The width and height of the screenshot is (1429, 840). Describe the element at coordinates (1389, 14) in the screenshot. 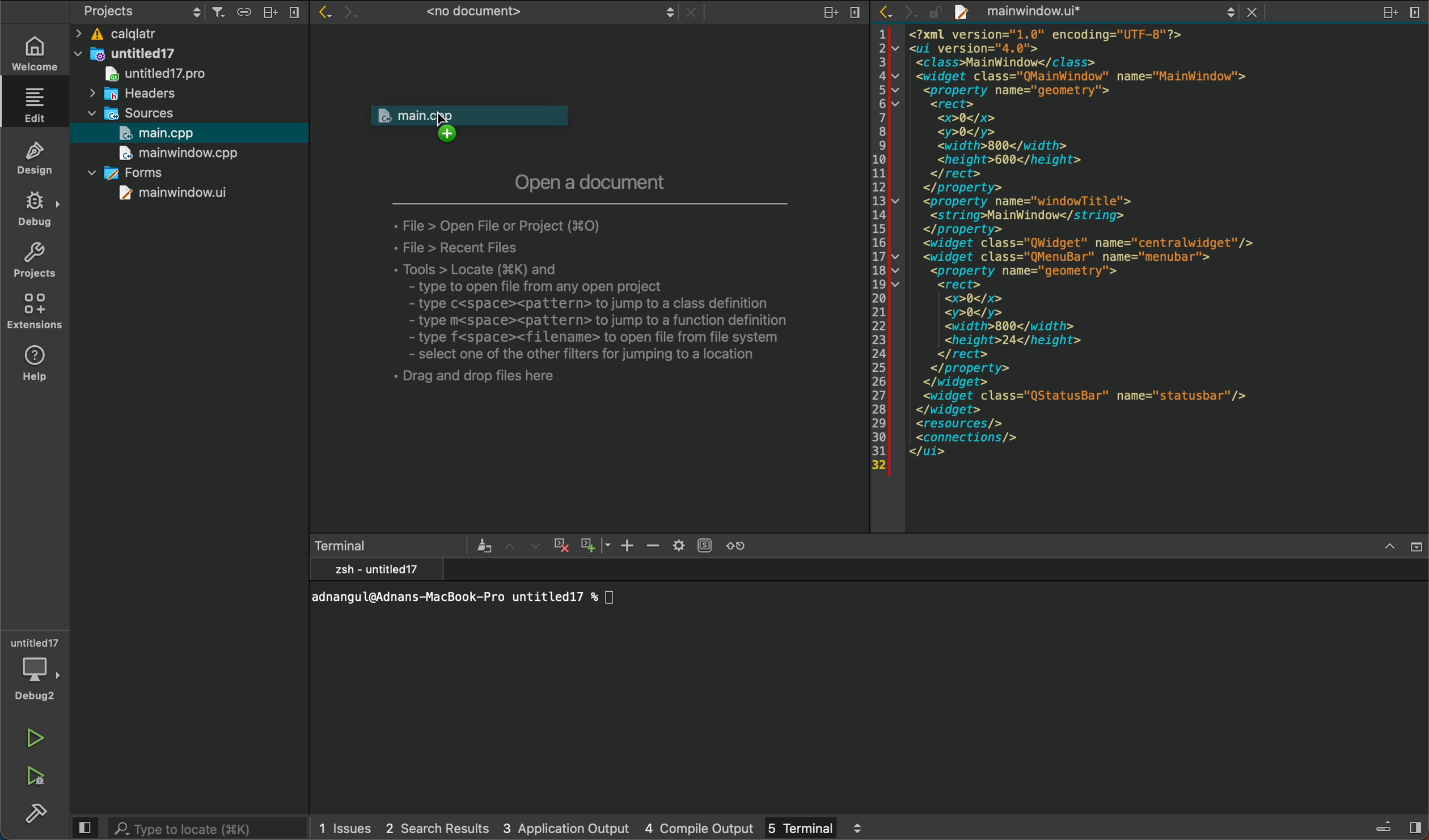

I see `split` at that location.